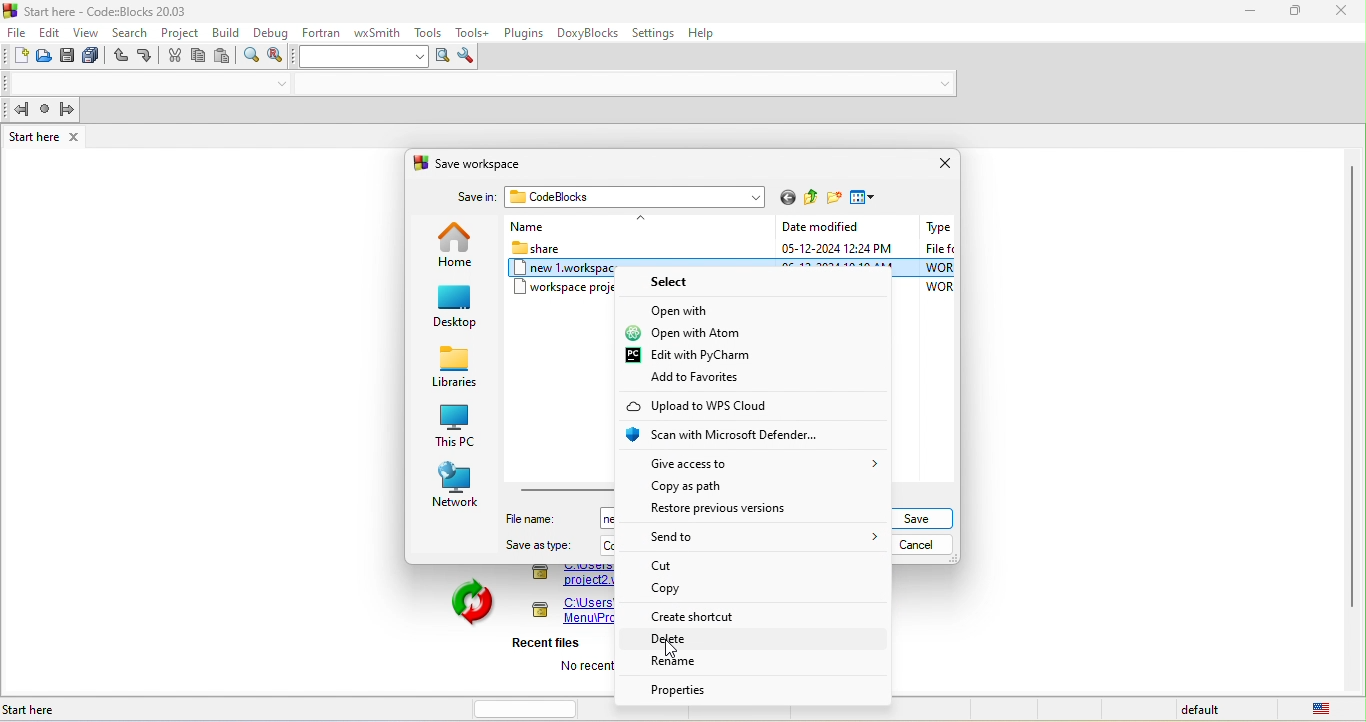 This screenshot has height=722, width=1366. What do you see at coordinates (1298, 13) in the screenshot?
I see `maximize` at bounding box center [1298, 13].